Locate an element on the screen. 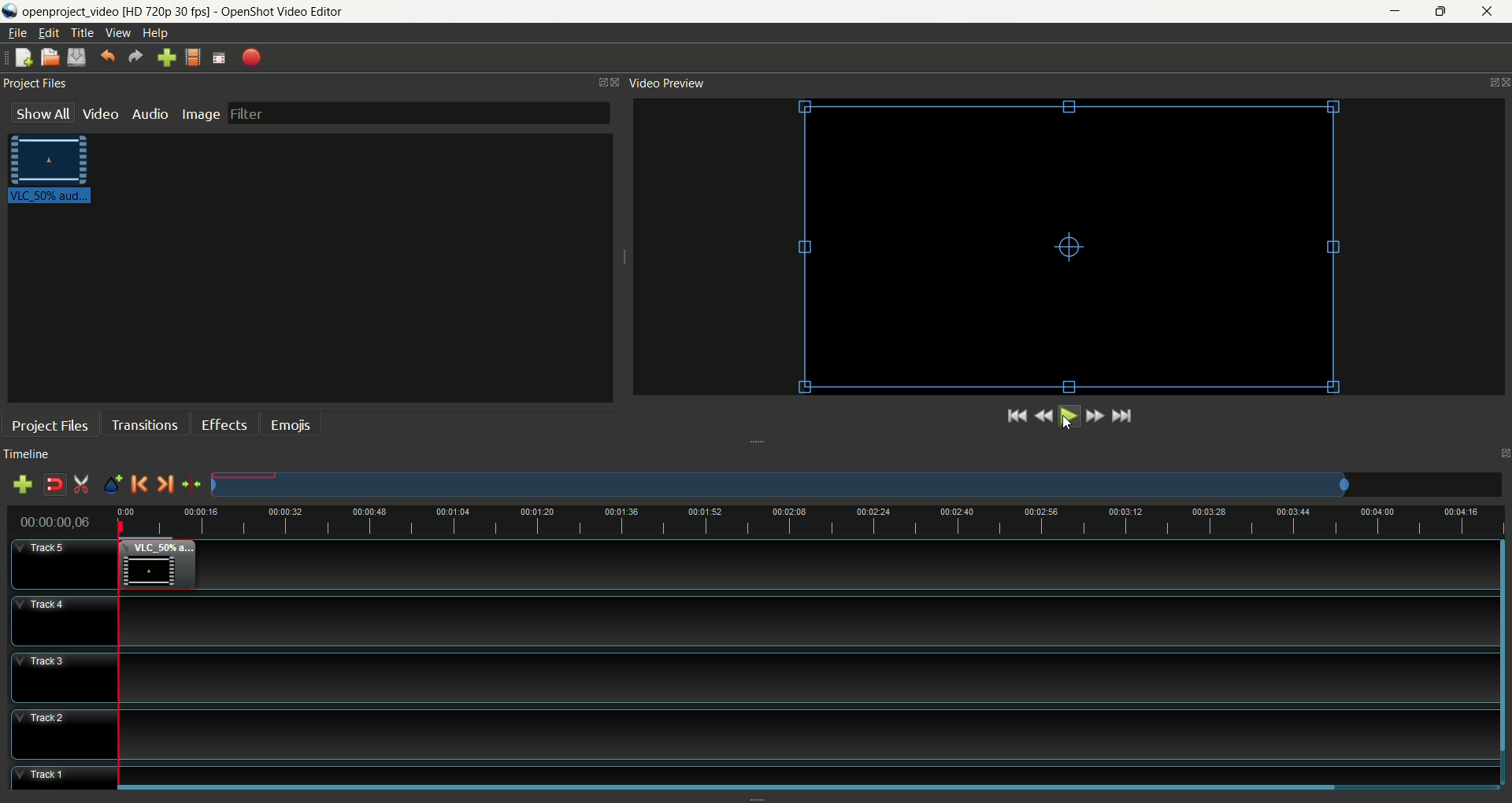 Image resolution: width=1512 pixels, height=803 pixels. disable snapping is located at coordinates (54, 485).